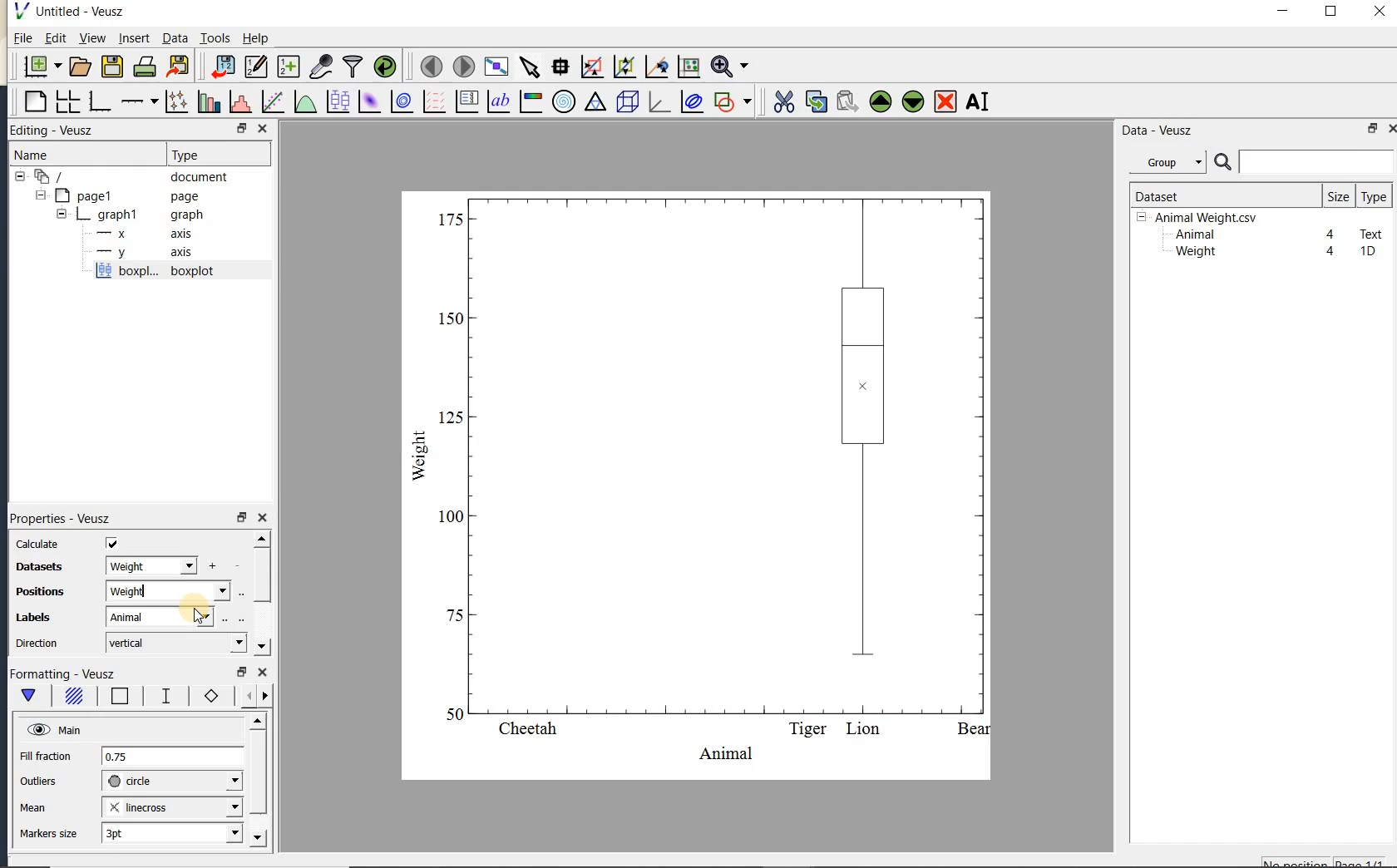 The height and width of the screenshot is (868, 1397). I want to click on Formatting - Veusz, so click(67, 674).